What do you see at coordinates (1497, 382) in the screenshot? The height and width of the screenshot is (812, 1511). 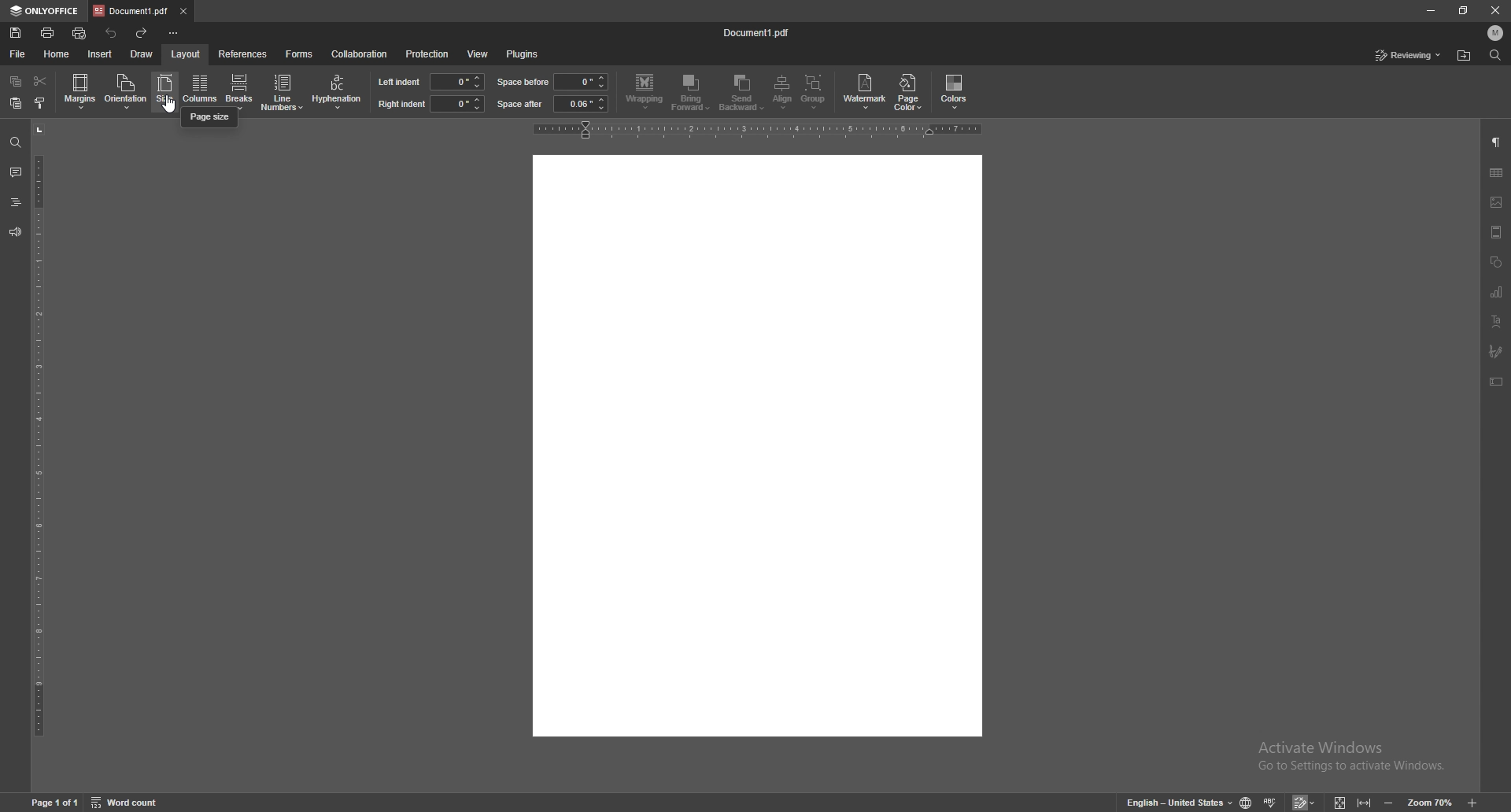 I see `text box` at bounding box center [1497, 382].